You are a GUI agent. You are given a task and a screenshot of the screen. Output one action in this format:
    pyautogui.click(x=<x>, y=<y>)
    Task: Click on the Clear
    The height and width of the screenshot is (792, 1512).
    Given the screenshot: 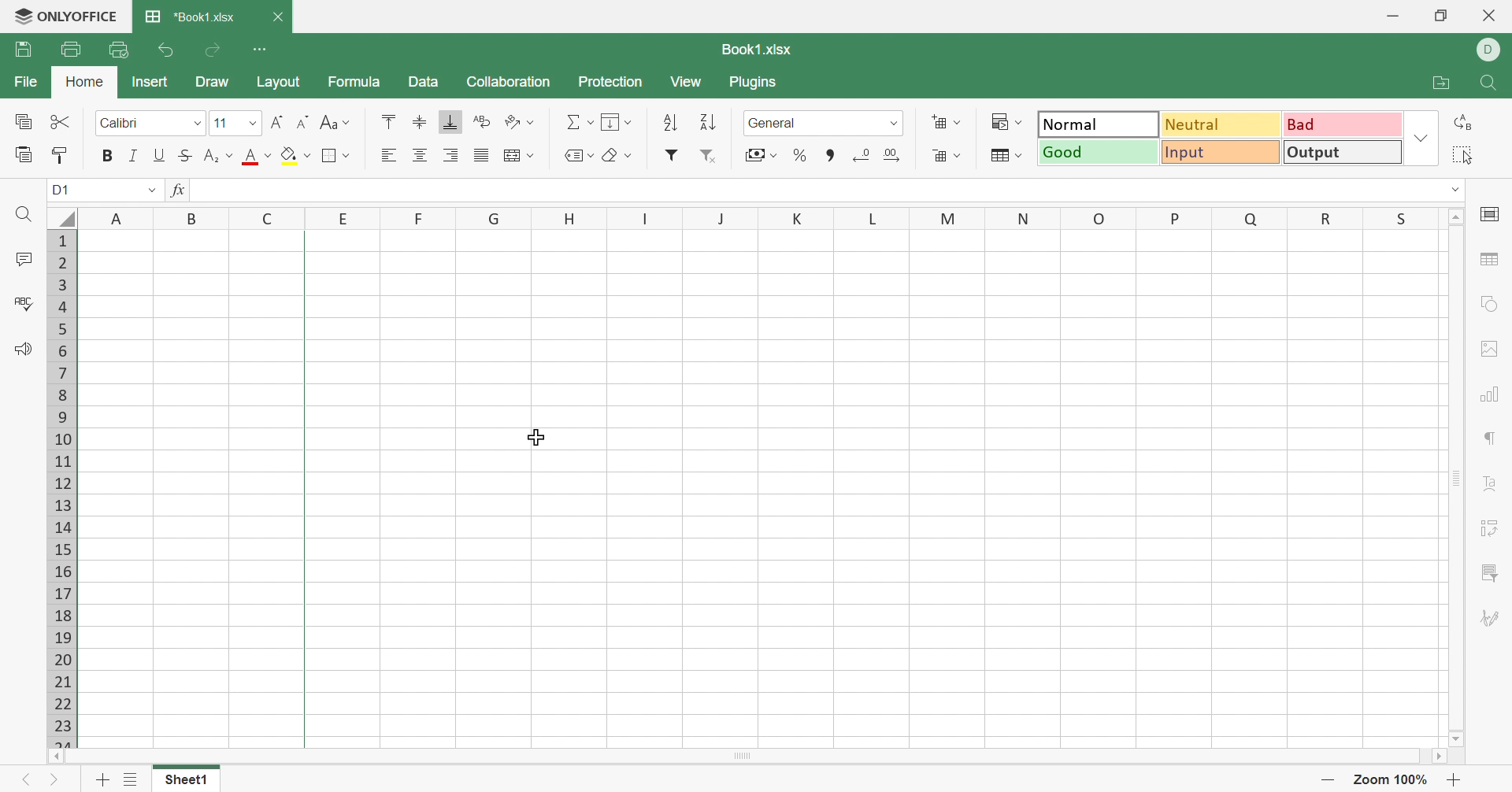 What is the action you would take?
    pyautogui.click(x=613, y=157)
    